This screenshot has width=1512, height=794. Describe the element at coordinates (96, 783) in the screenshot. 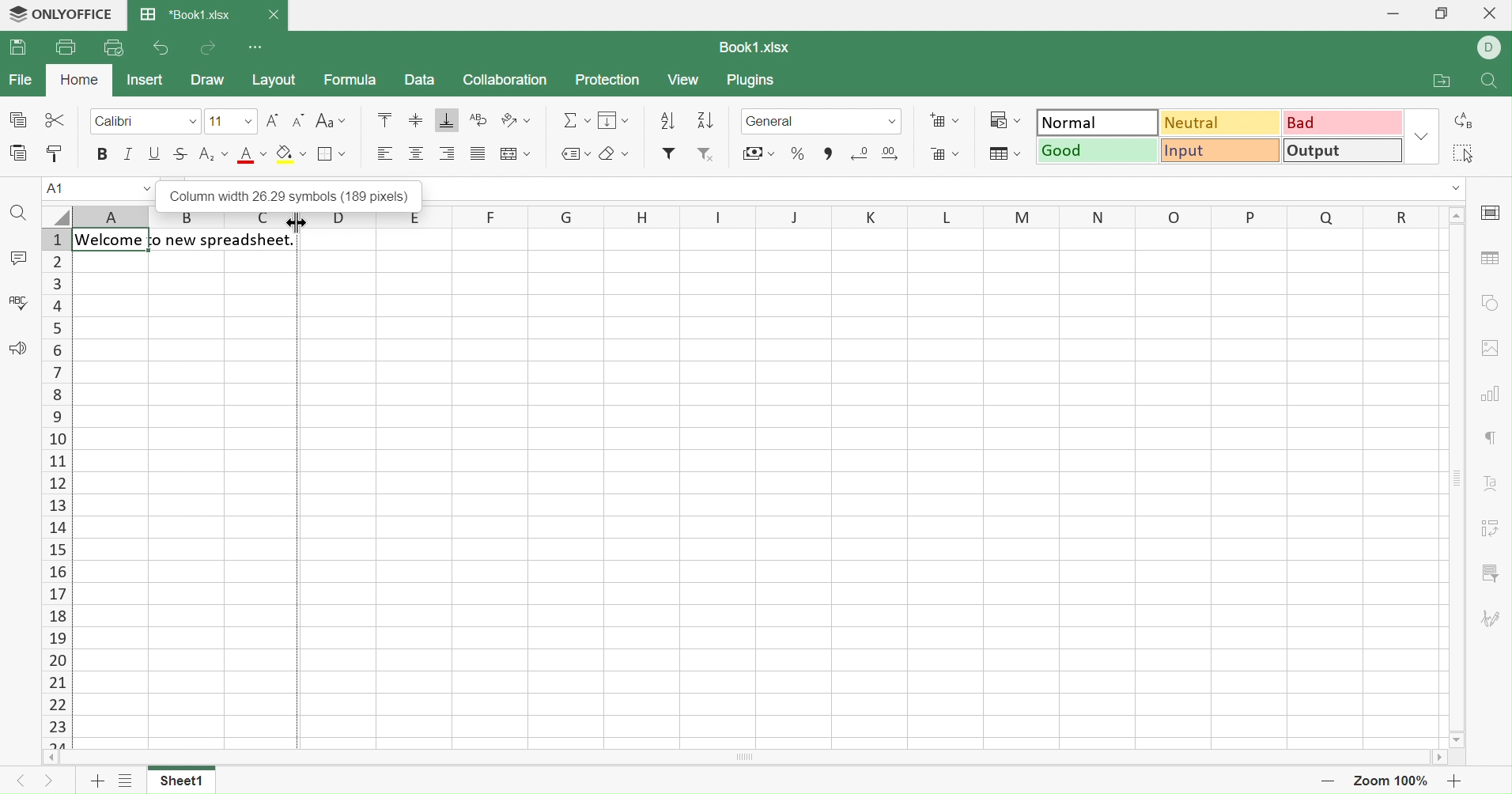

I see `Add sheet` at that location.